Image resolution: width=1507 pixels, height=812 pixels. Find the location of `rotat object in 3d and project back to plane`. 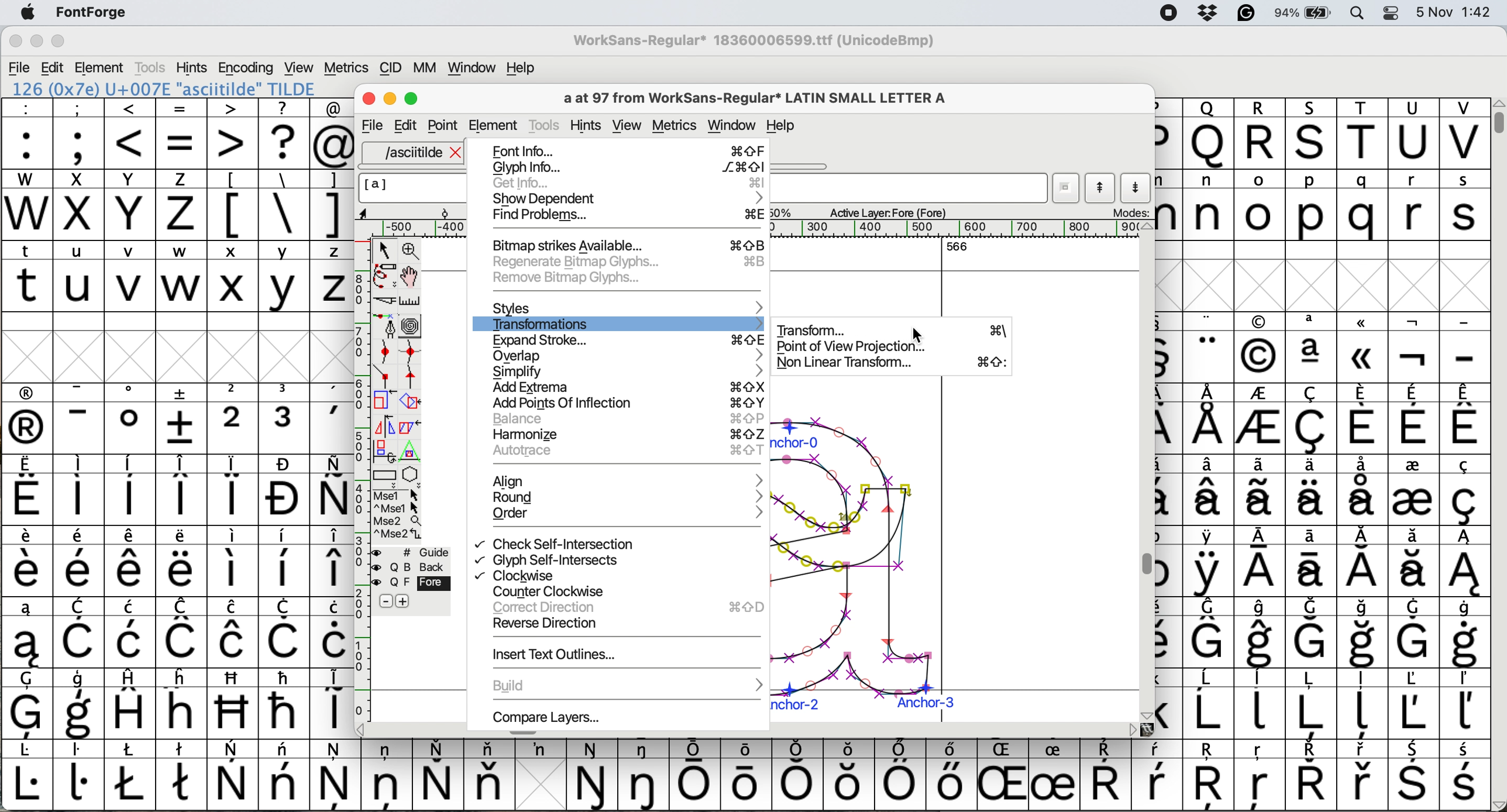

rotat object in 3d and project back to plane is located at coordinates (383, 450).